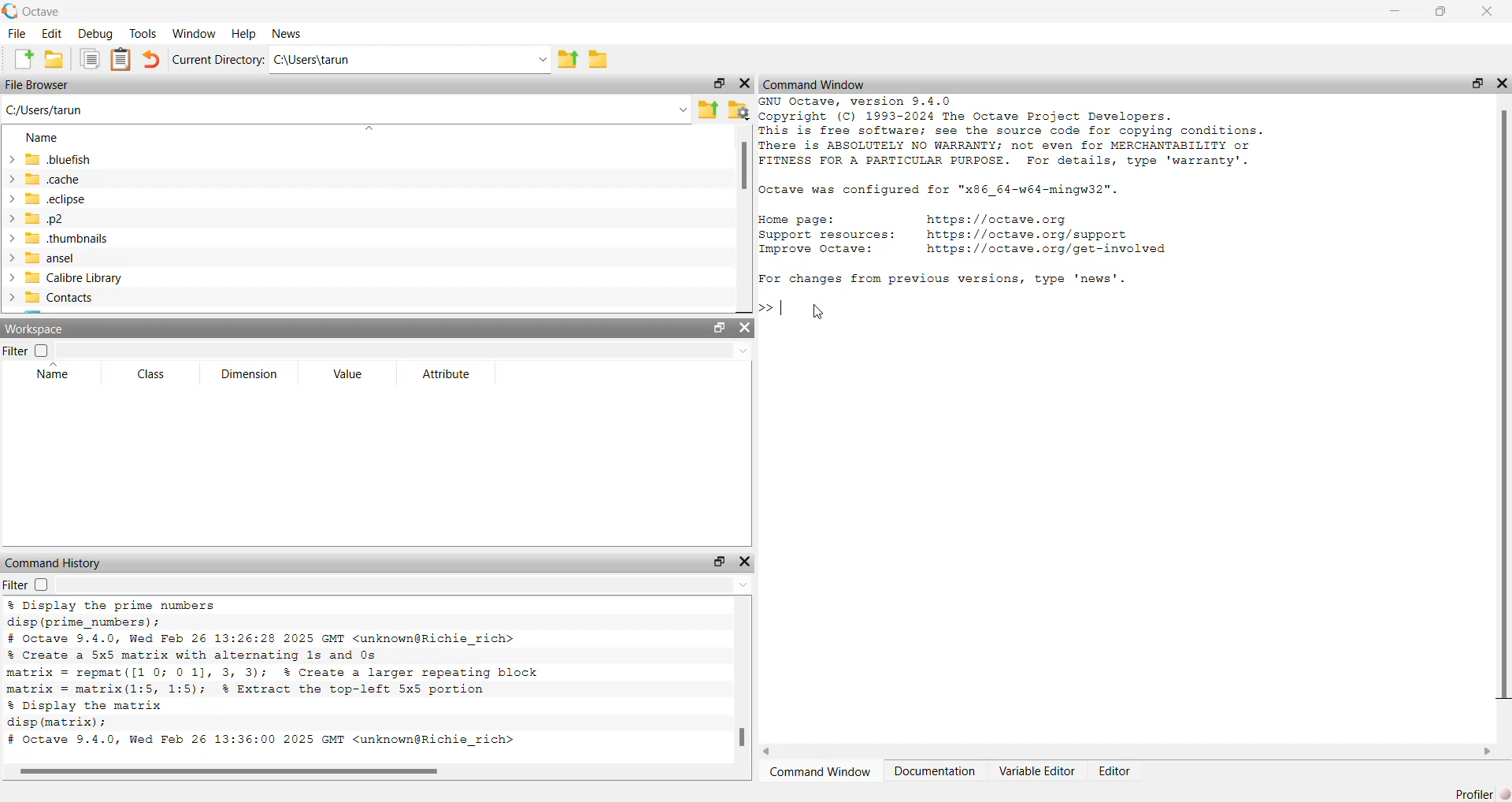  What do you see at coordinates (717, 328) in the screenshot?
I see `unlock widget` at bounding box center [717, 328].